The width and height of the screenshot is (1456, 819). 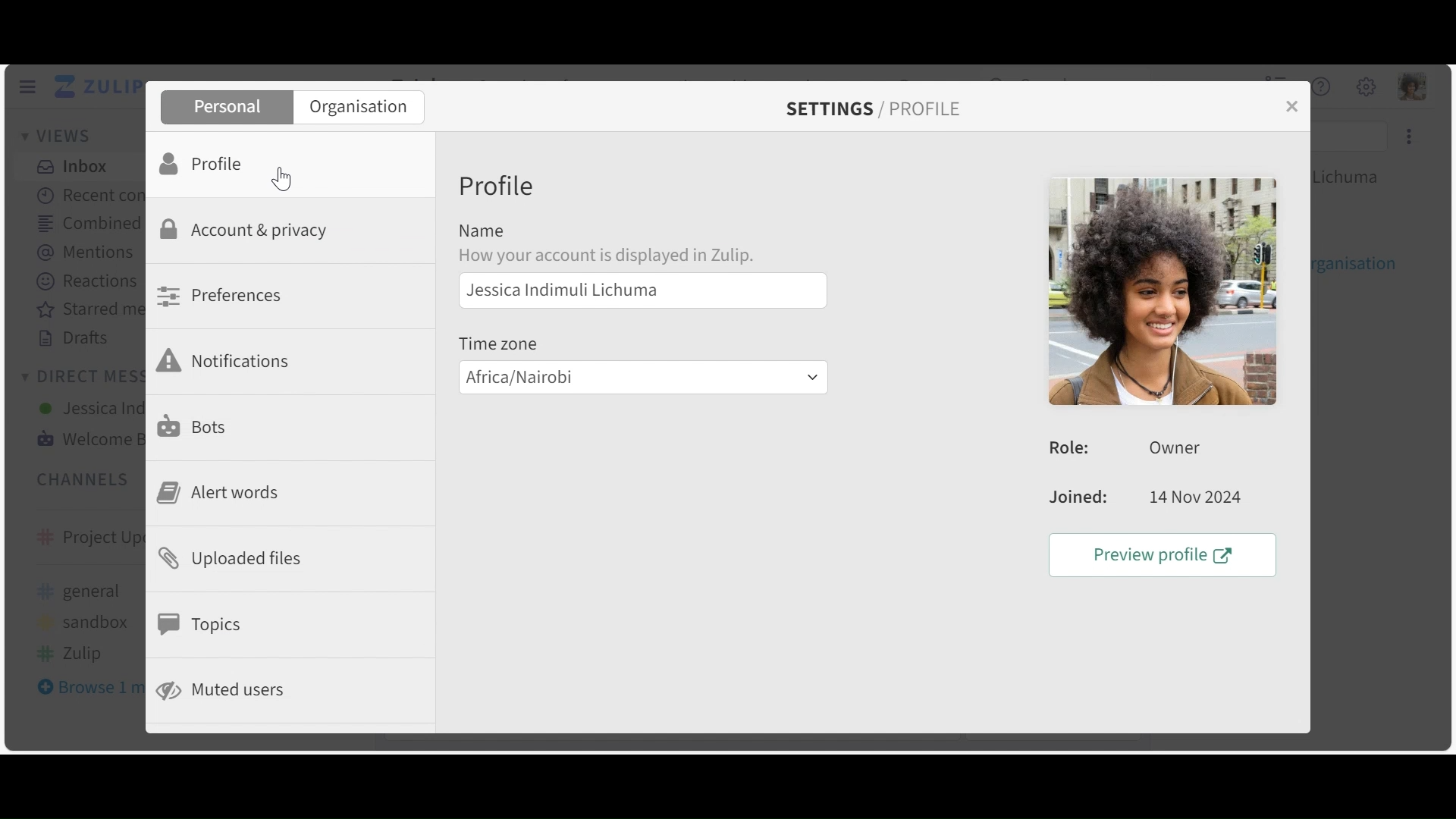 I want to click on Close, so click(x=1288, y=105).